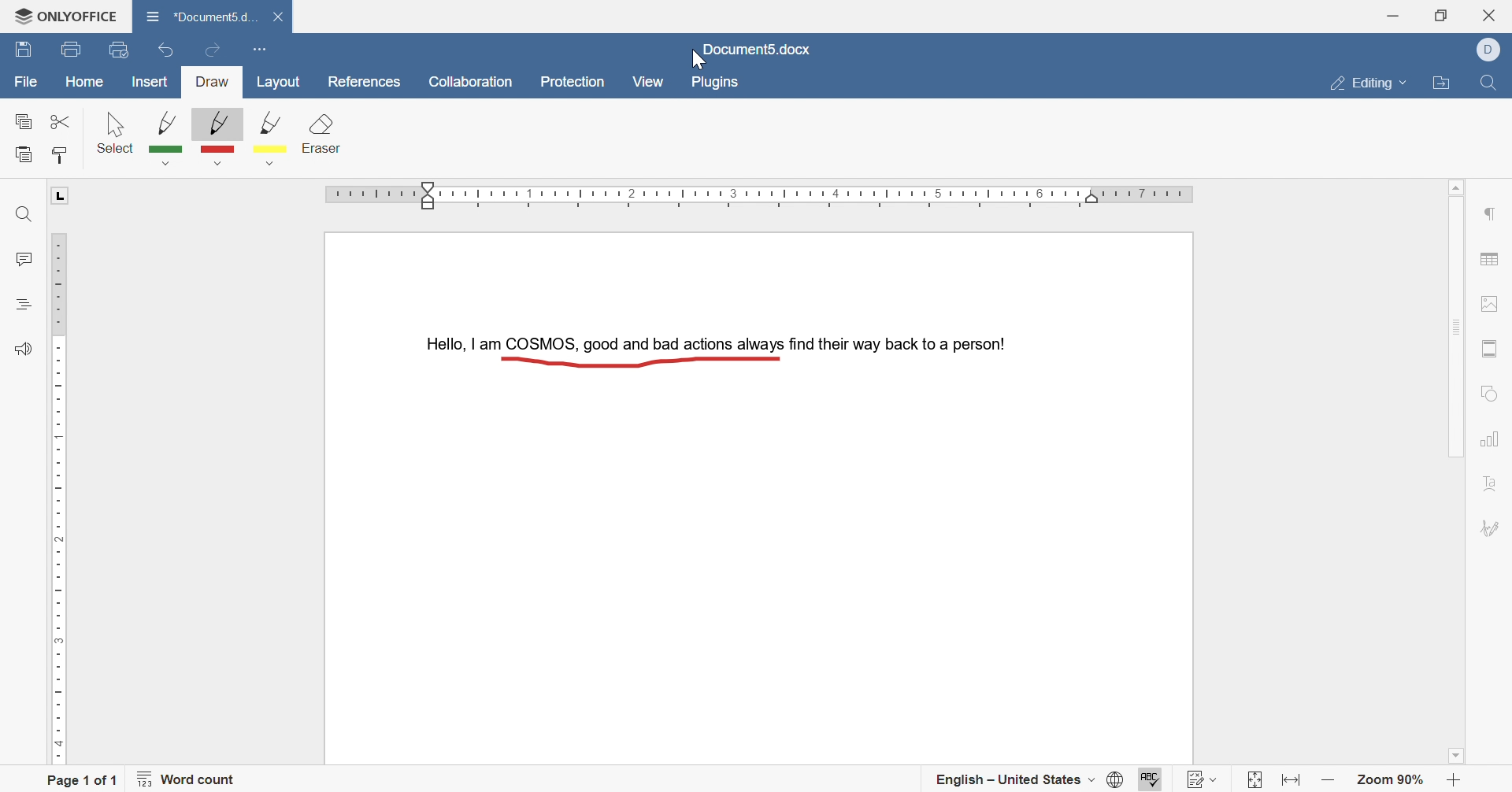 Image resolution: width=1512 pixels, height=792 pixels. What do you see at coordinates (1441, 15) in the screenshot?
I see `restore down` at bounding box center [1441, 15].